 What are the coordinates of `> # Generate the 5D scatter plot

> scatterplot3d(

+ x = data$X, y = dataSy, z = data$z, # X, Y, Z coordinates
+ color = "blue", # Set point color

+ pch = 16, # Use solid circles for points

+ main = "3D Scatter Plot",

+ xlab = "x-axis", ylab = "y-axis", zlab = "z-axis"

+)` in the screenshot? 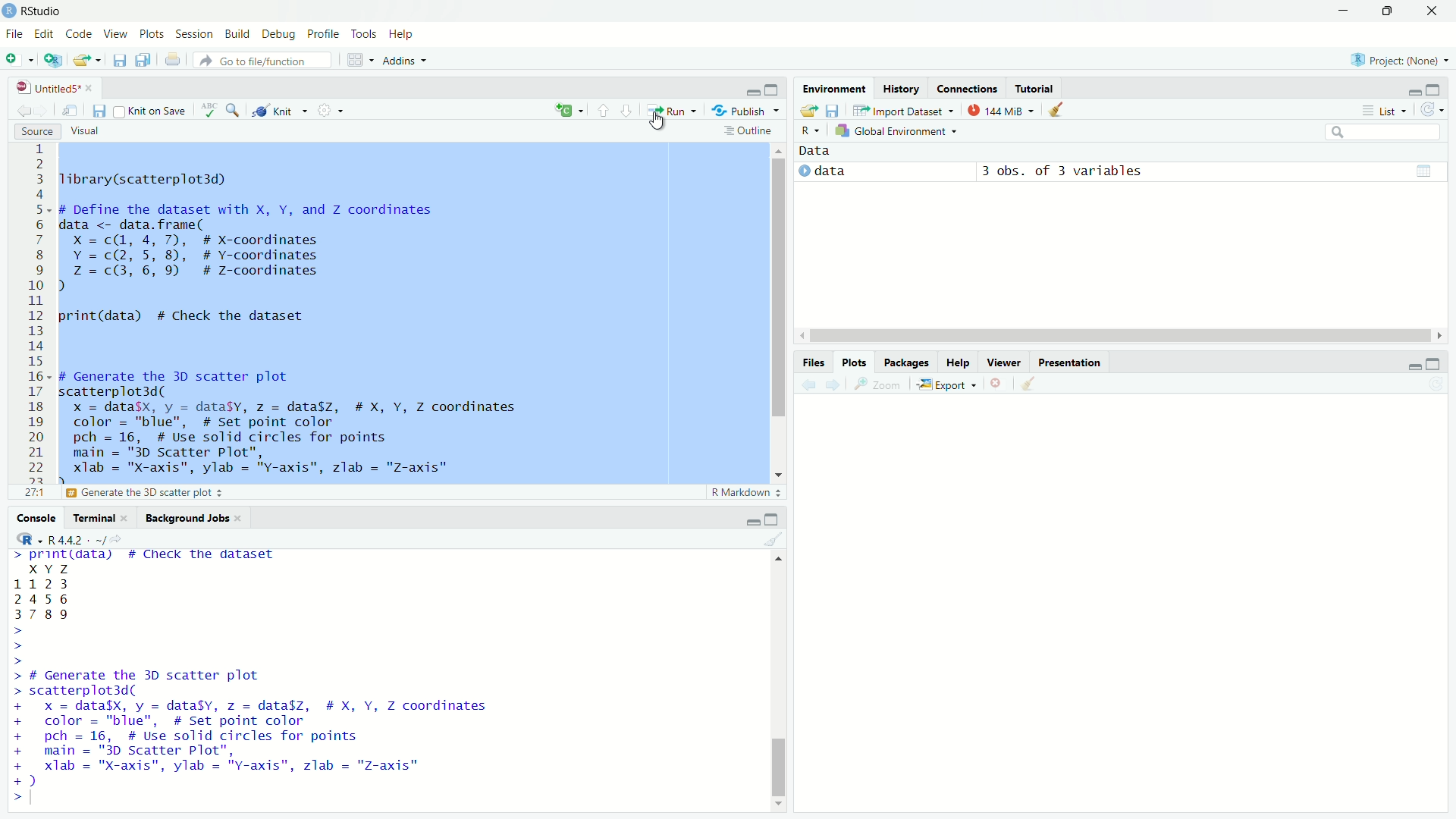 It's located at (276, 728).